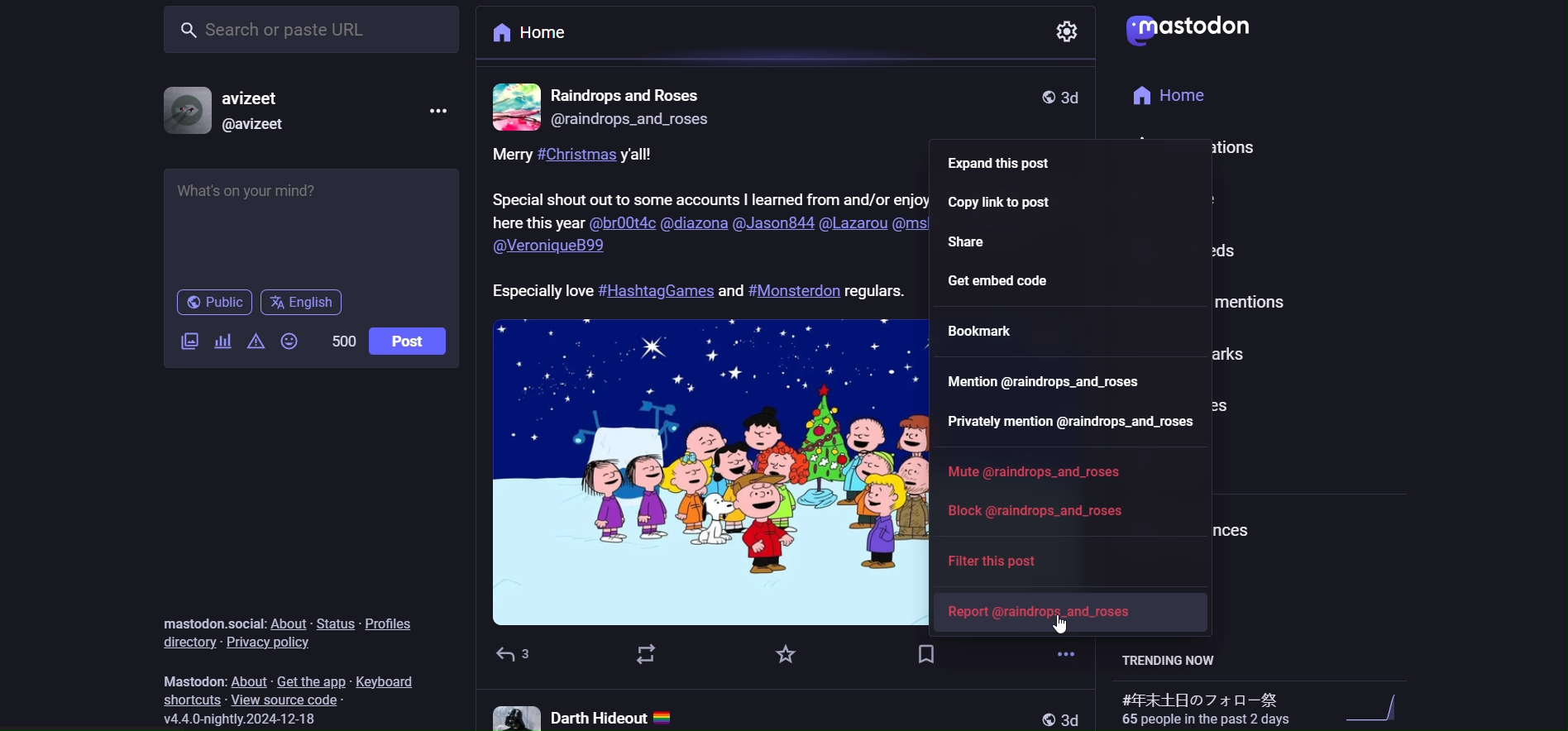 This screenshot has width=1568, height=731. I want to click on english, so click(307, 303).